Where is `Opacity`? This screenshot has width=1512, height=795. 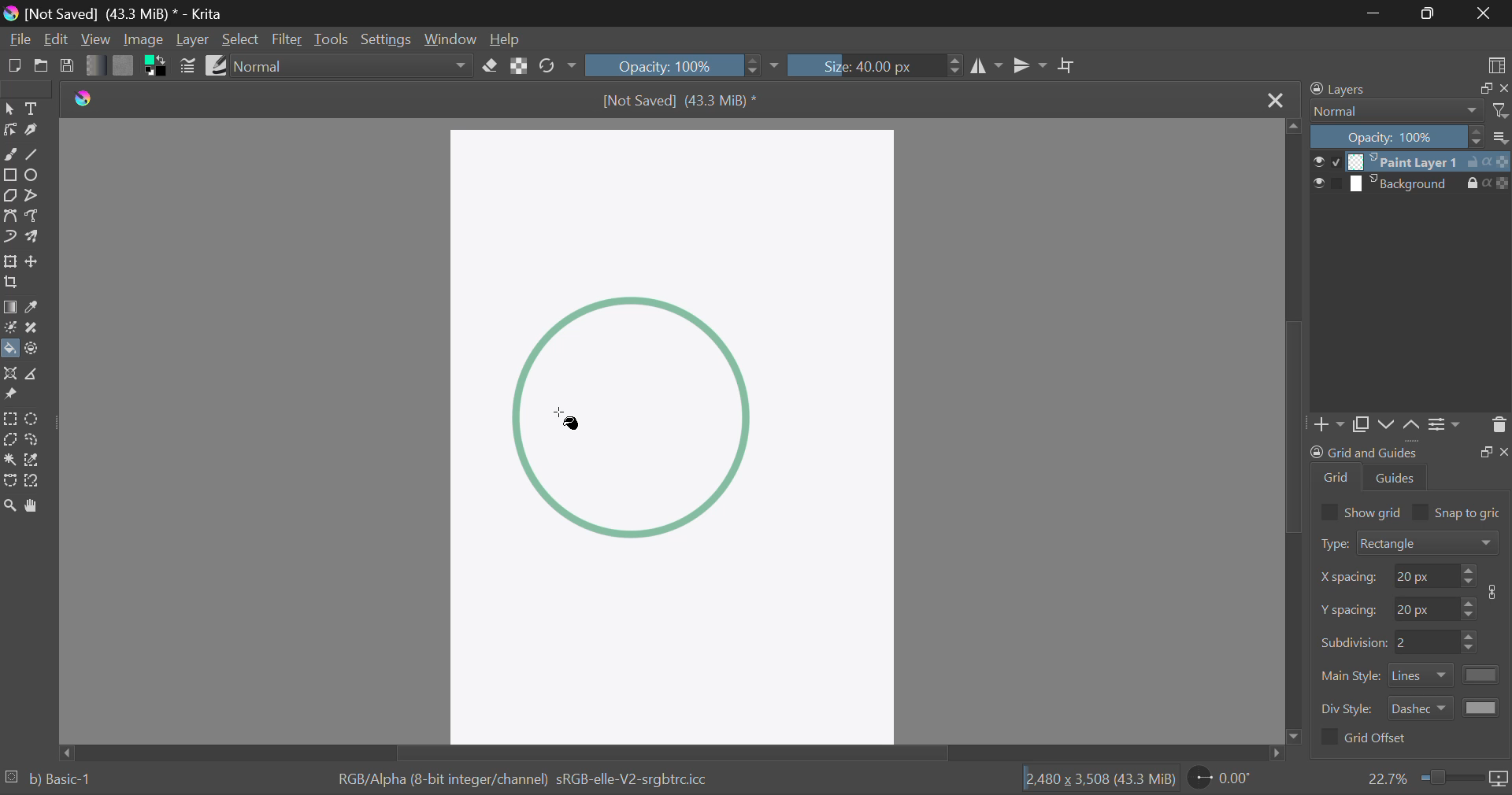
Opacity is located at coordinates (1411, 138).